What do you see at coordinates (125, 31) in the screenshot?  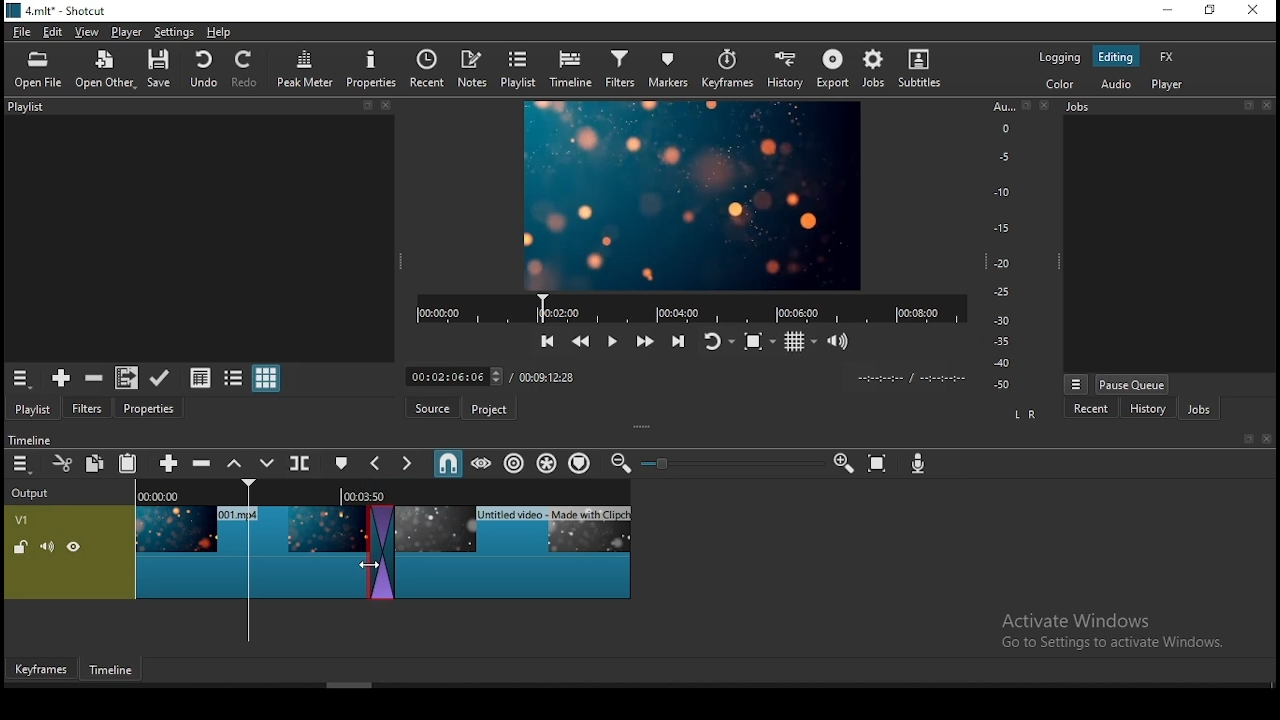 I see `player` at bounding box center [125, 31].